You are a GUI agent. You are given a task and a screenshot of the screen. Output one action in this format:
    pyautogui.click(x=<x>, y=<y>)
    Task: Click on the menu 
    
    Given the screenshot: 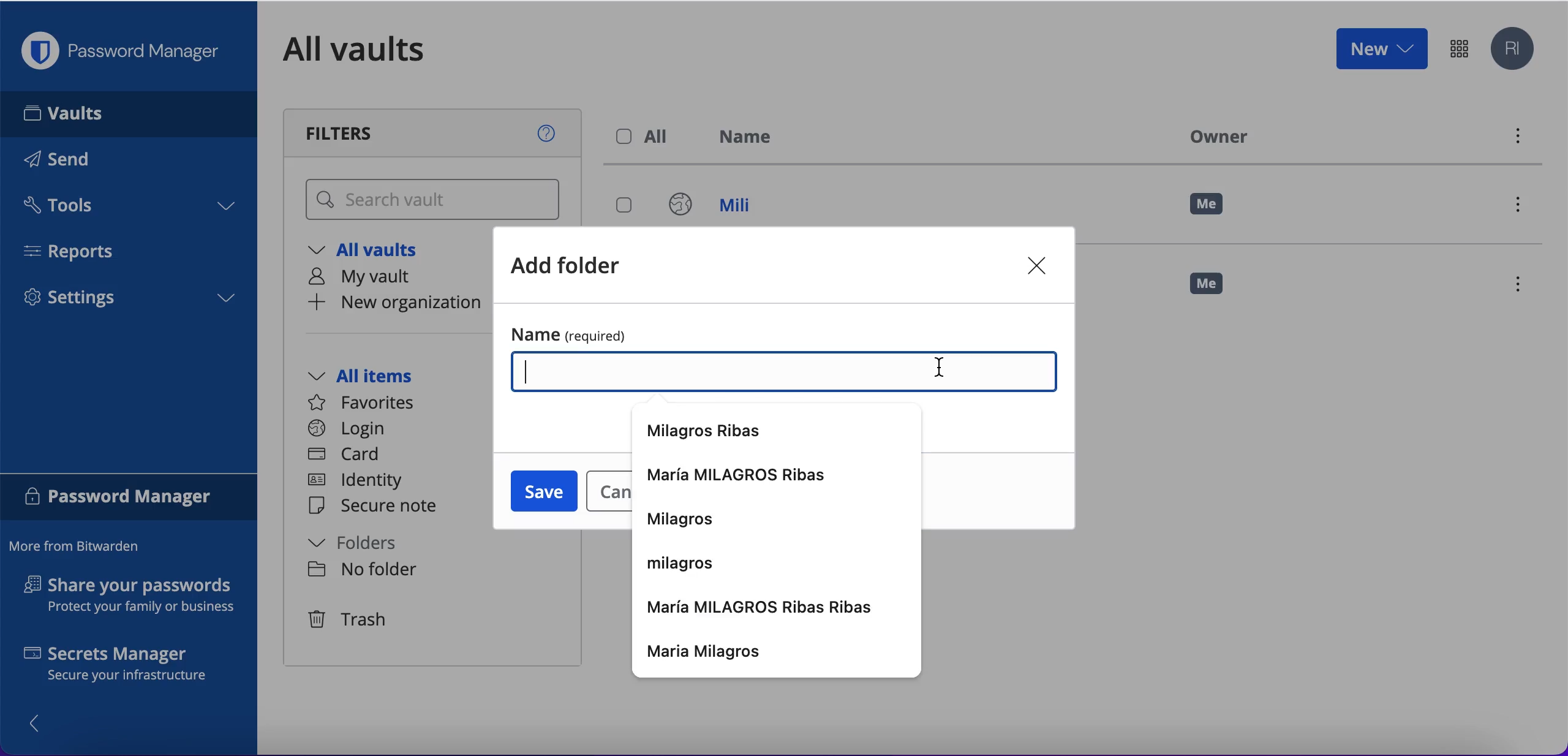 What is the action you would take?
    pyautogui.click(x=1523, y=208)
    